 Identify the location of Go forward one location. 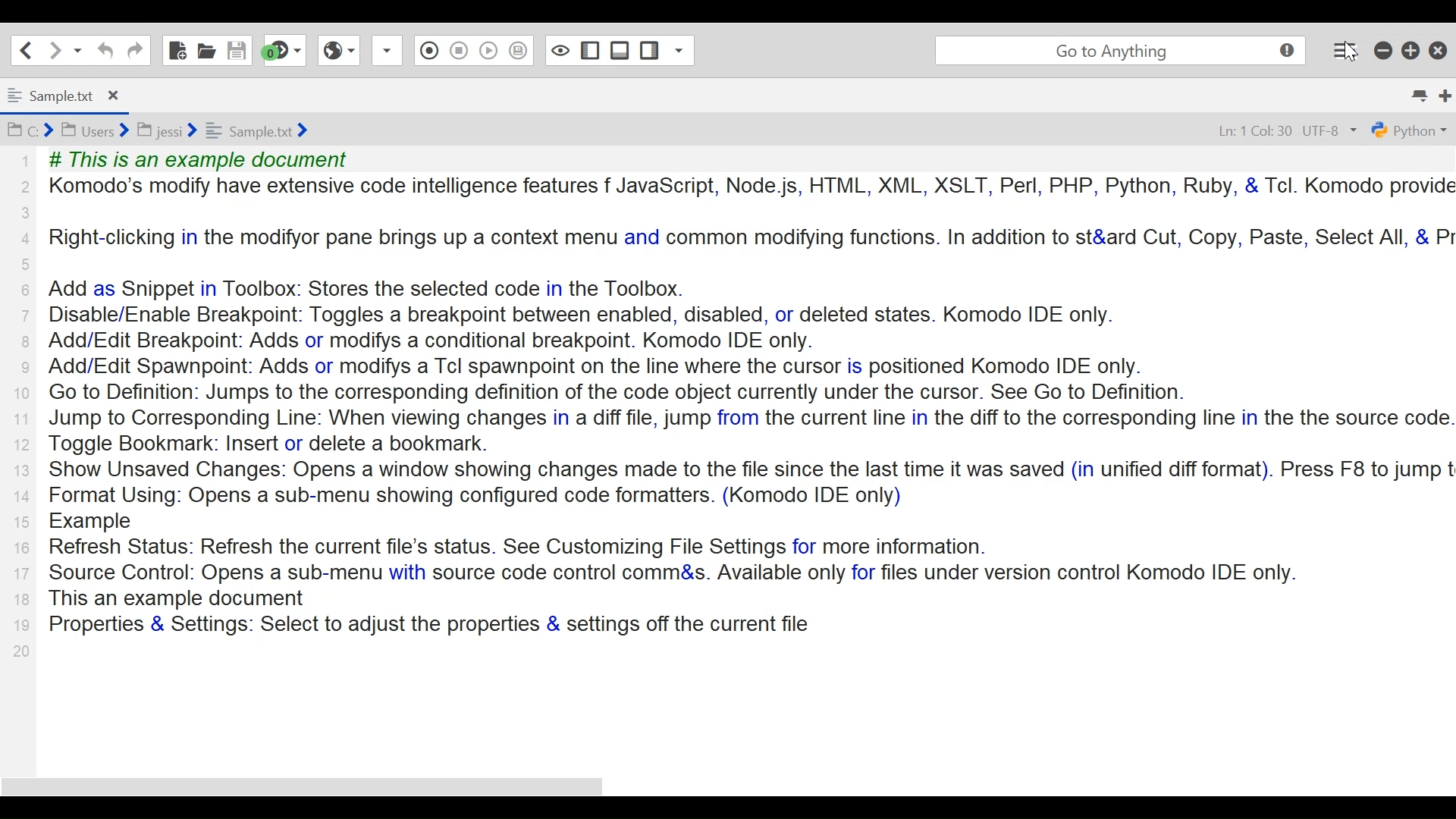
(54, 49).